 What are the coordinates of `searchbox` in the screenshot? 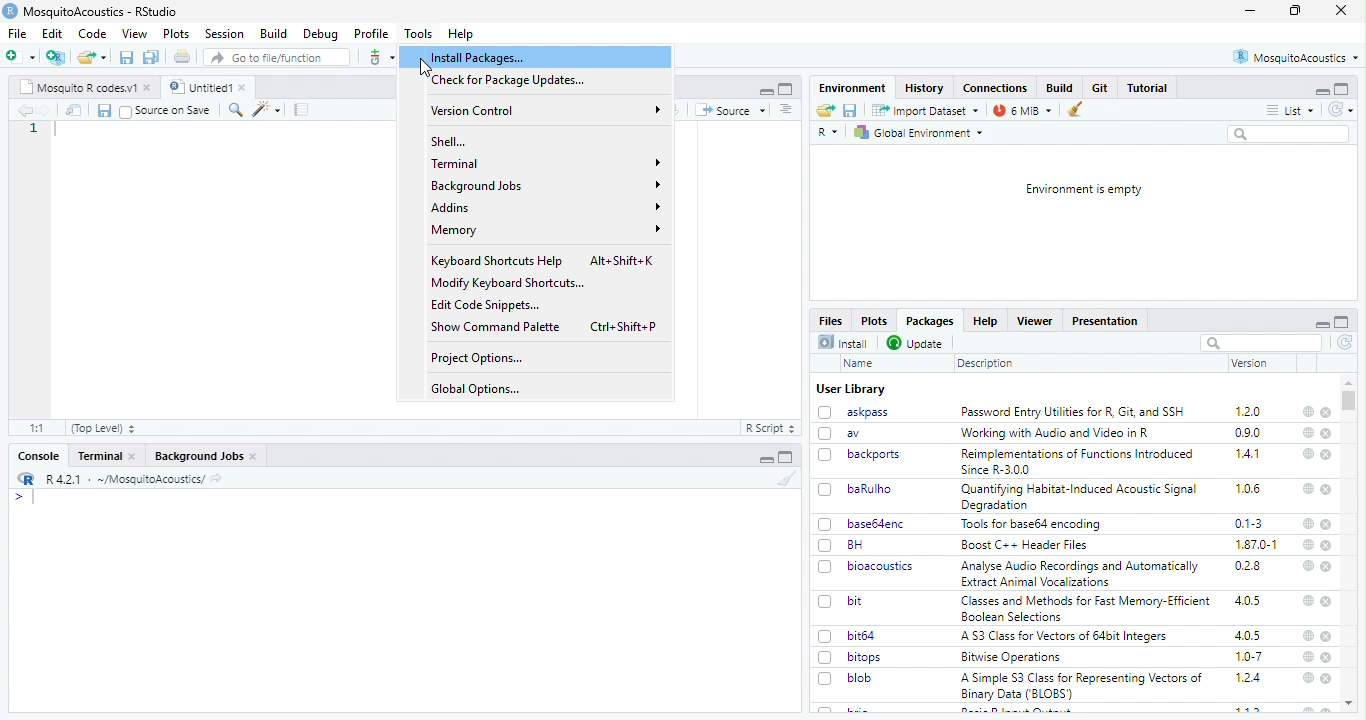 It's located at (1261, 343).